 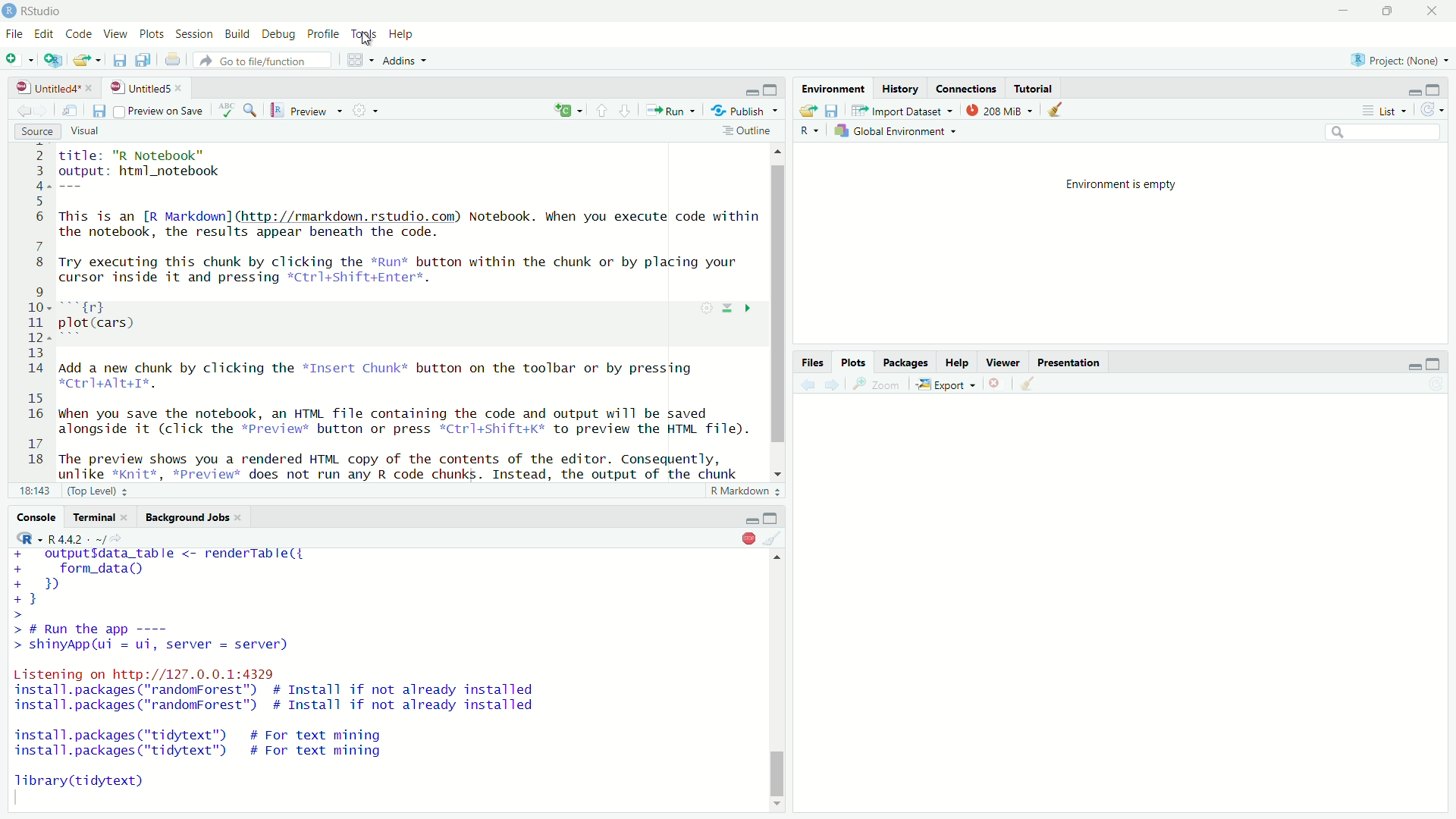 I want to click on Session, so click(x=196, y=35).